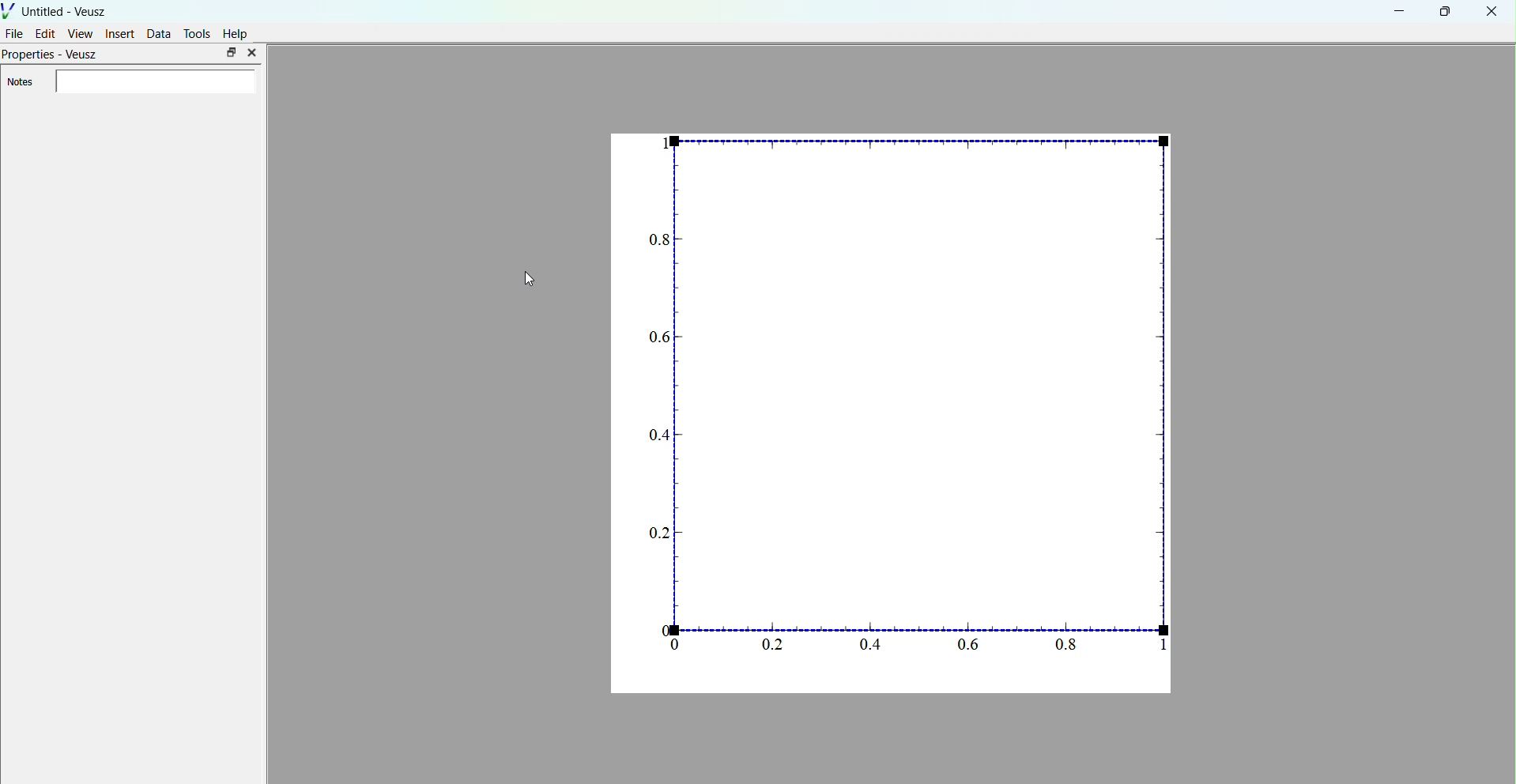  Describe the element at coordinates (80, 33) in the screenshot. I see `View` at that location.